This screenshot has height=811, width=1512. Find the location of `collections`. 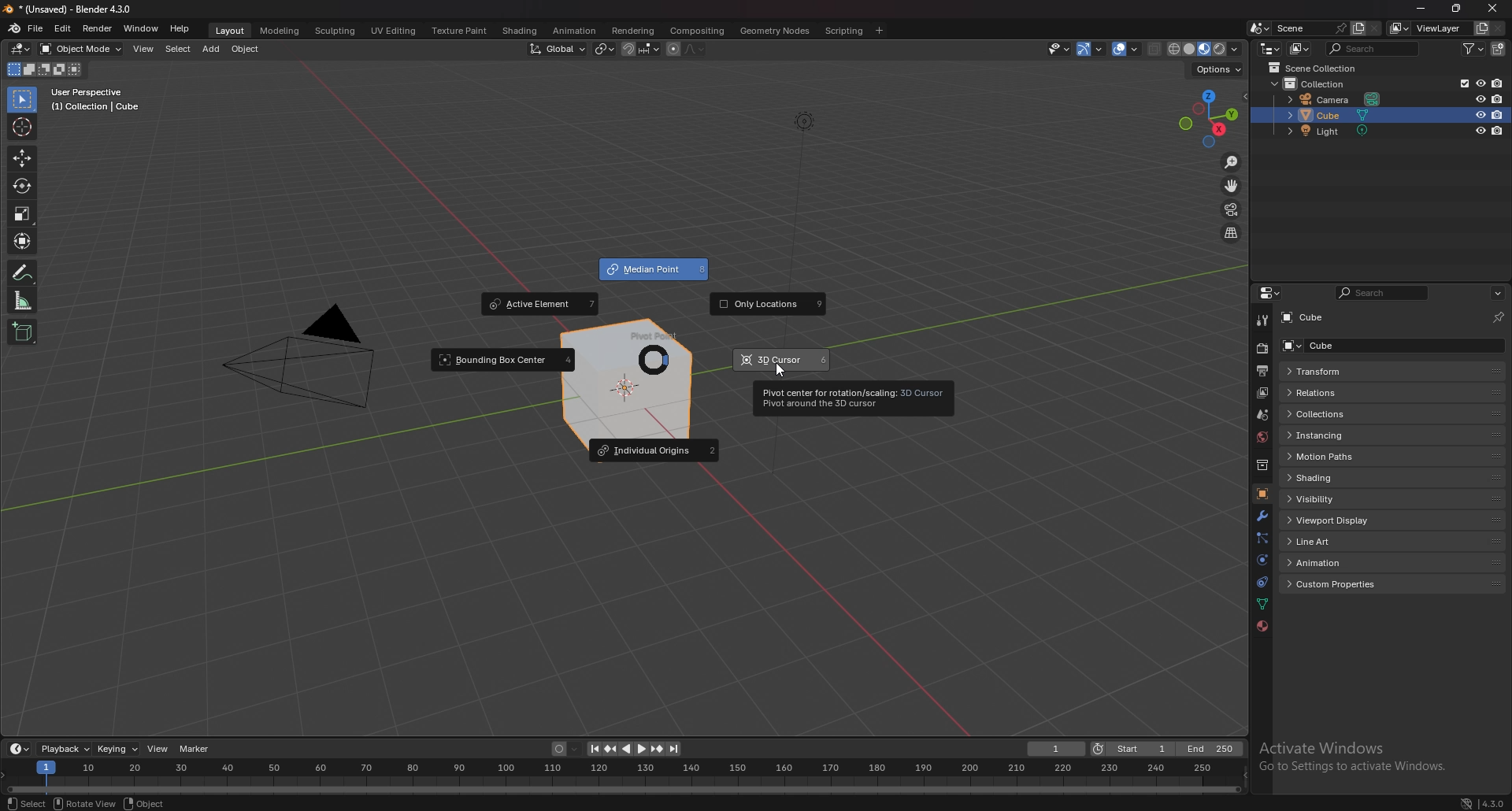

collections is located at coordinates (1346, 413).